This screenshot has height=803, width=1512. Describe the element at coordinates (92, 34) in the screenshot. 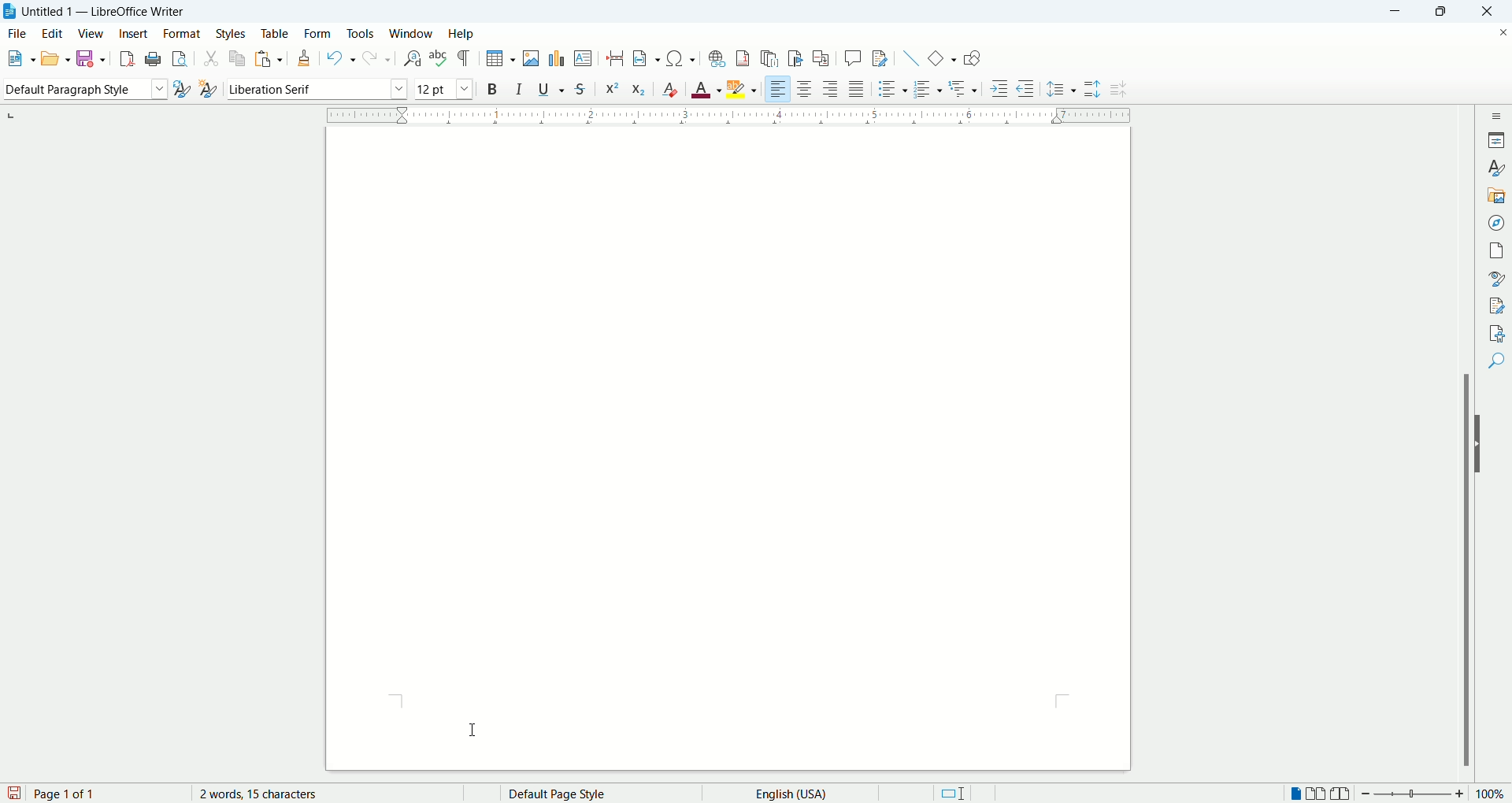

I see `view` at that location.